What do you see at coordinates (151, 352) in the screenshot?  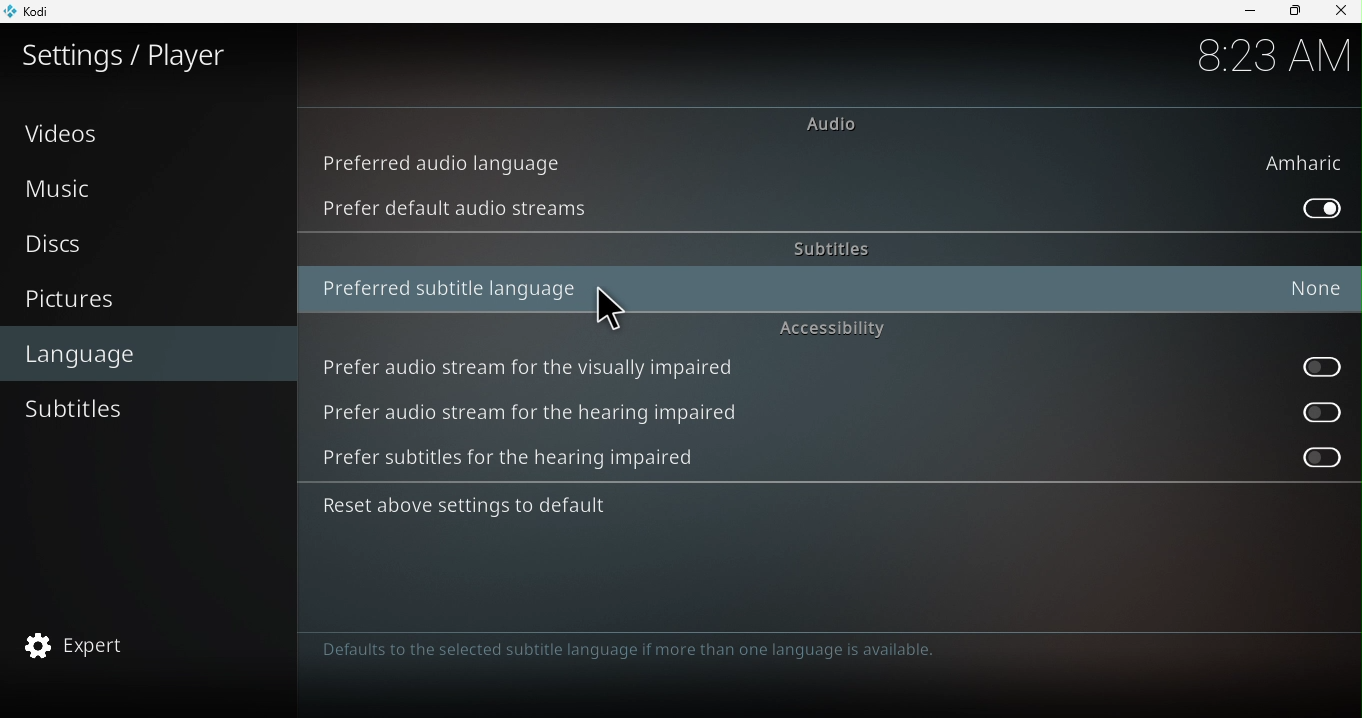 I see `Language` at bounding box center [151, 352].